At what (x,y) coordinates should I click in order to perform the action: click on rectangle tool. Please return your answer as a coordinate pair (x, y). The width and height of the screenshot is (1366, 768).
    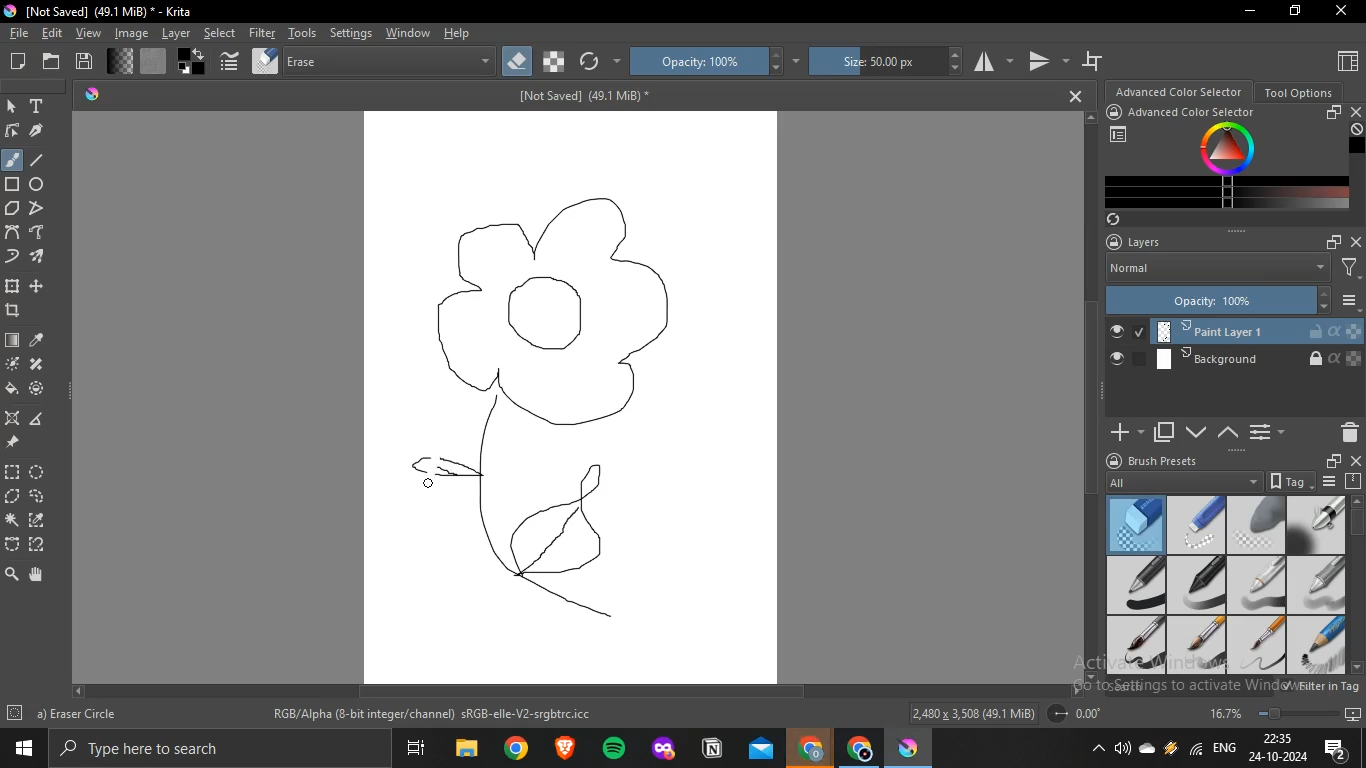
    Looking at the image, I should click on (13, 185).